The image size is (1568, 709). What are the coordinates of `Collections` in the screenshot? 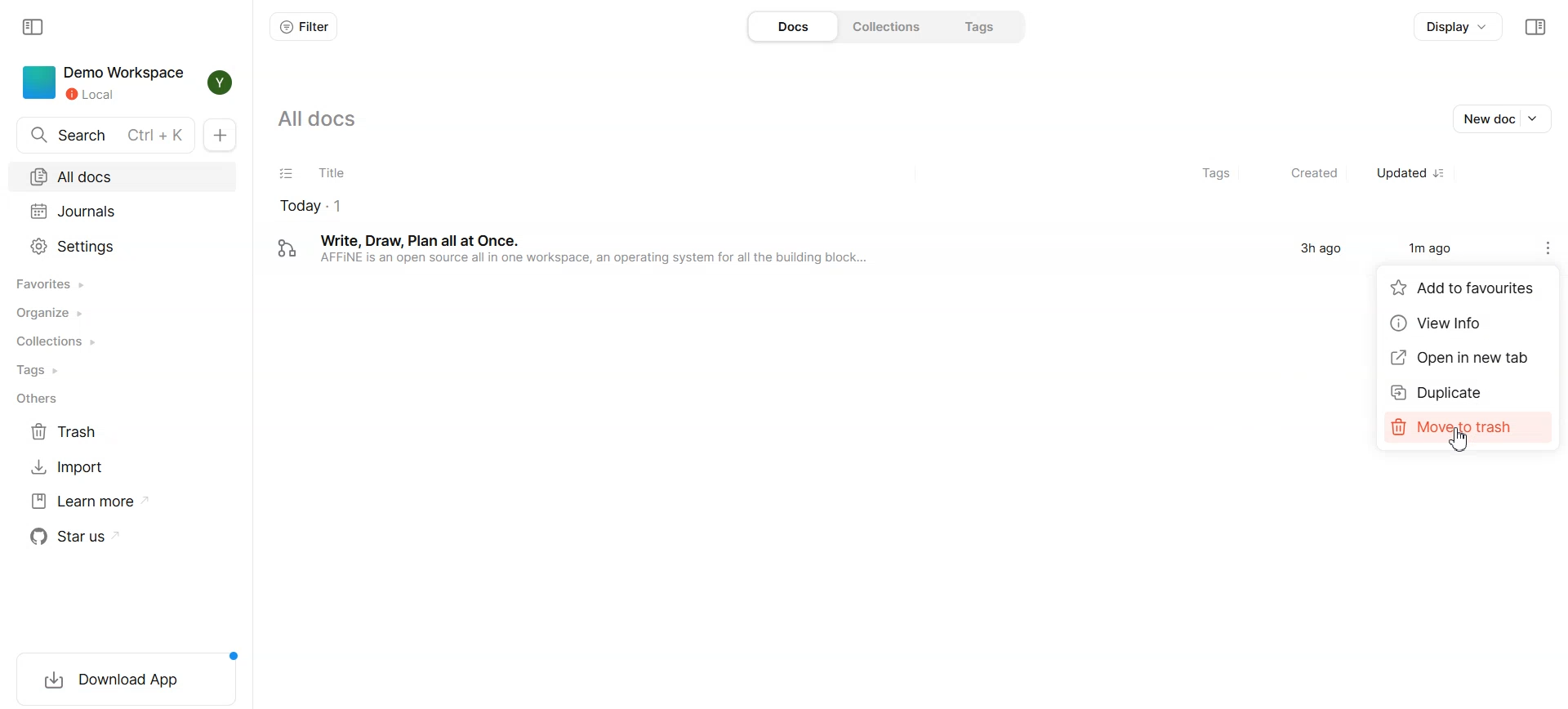 It's located at (891, 26).